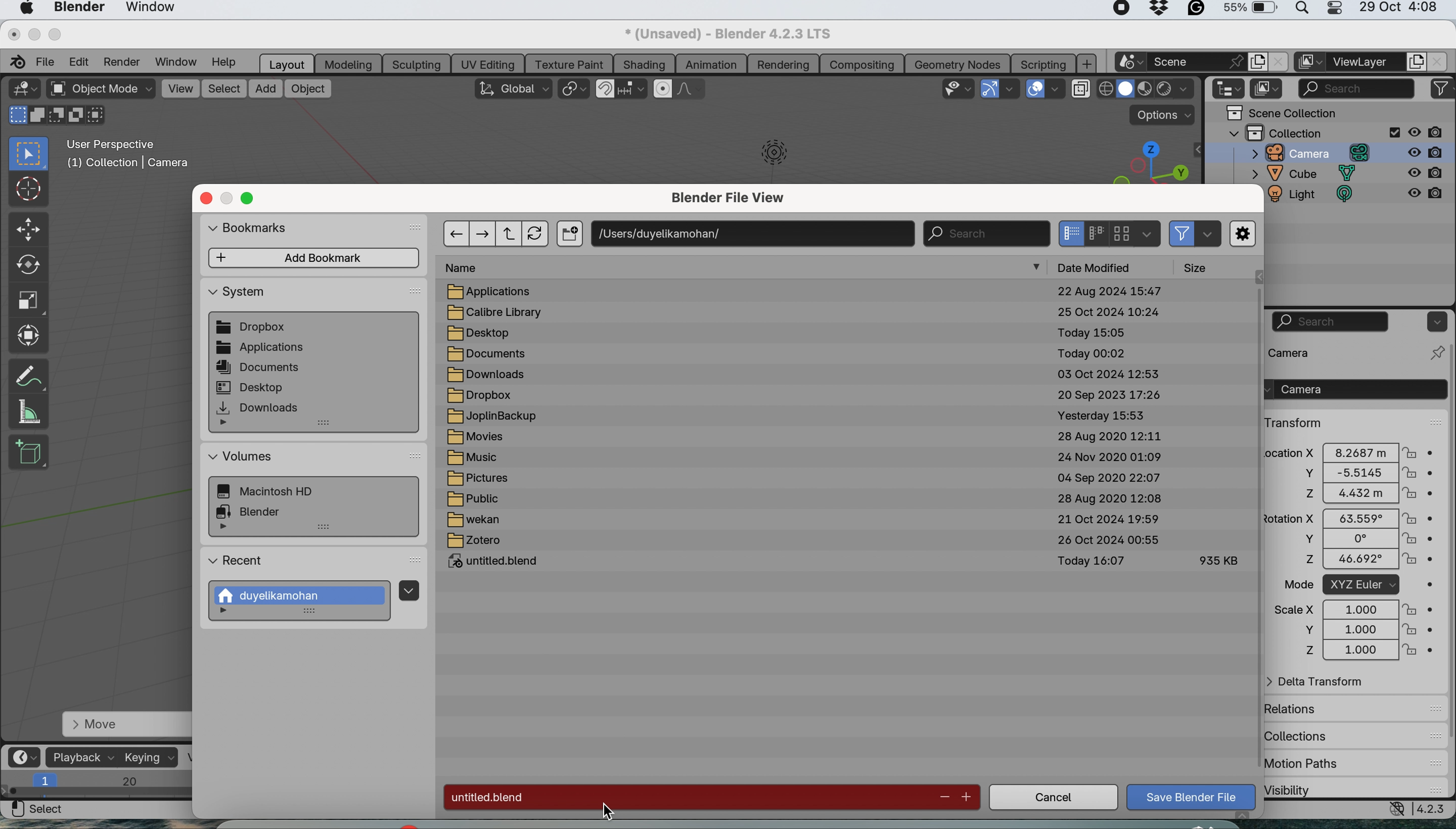 The width and height of the screenshot is (1456, 829). What do you see at coordinates (1426, 174) in the screenshot?
I see `disable in render` at bounding box center [1426, 174].